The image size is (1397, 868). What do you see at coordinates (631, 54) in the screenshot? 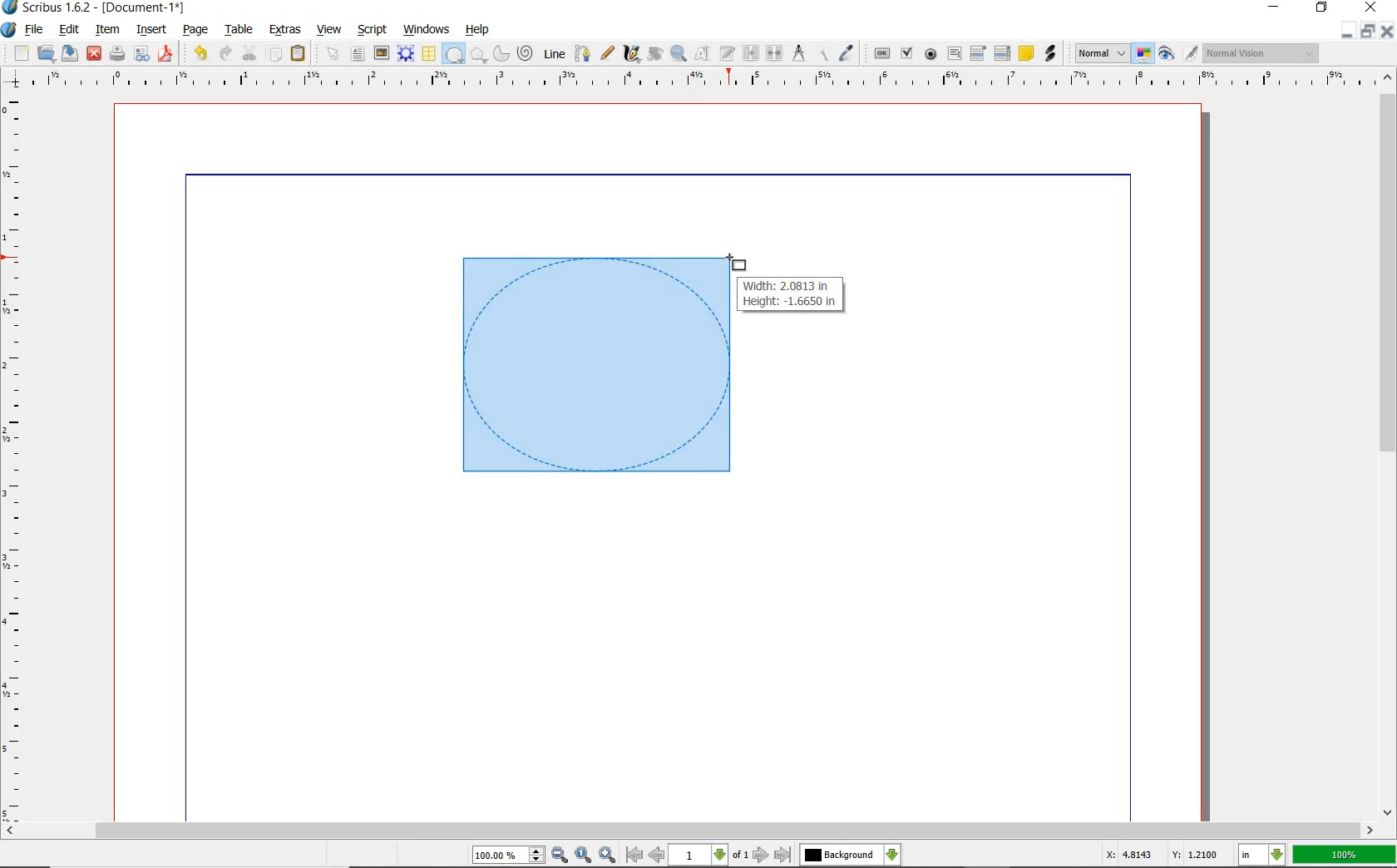
I see `CALLIGRAPHIC LINE` at bounding box center [631, 54].